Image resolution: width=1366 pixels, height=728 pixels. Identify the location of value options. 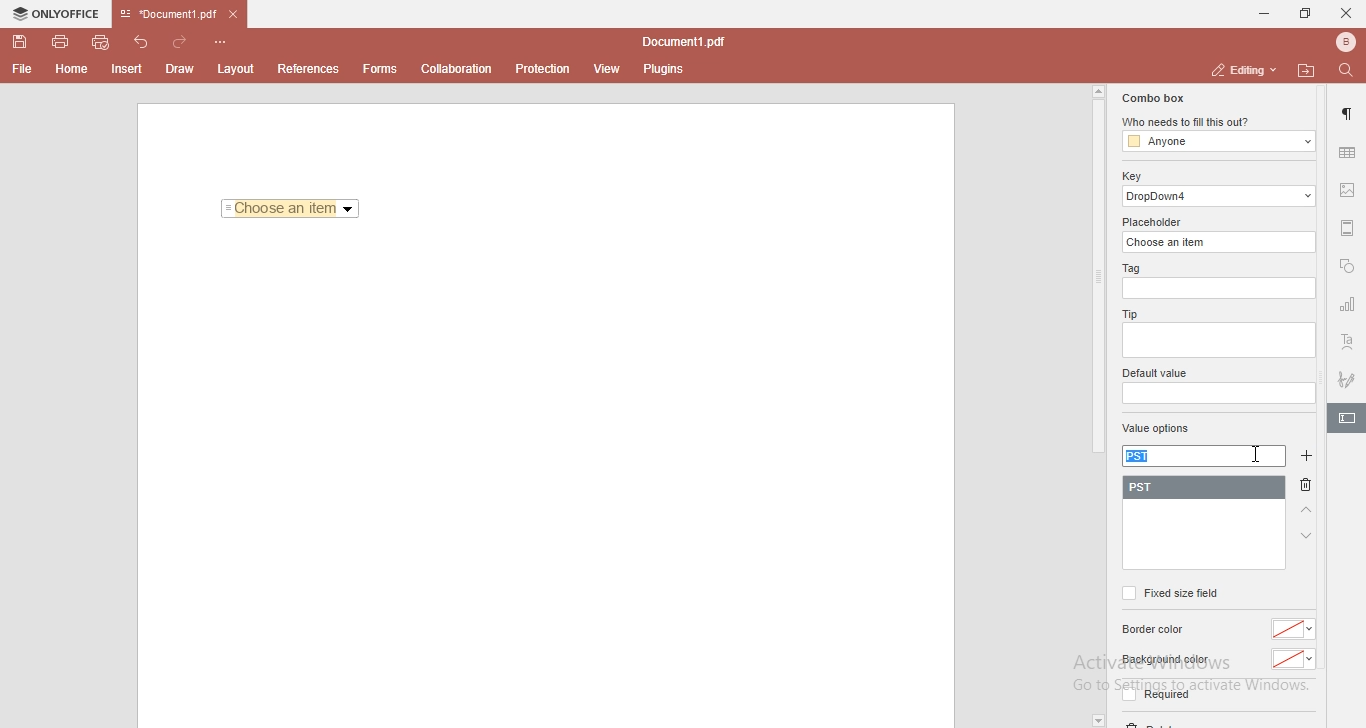
(1156, 430).